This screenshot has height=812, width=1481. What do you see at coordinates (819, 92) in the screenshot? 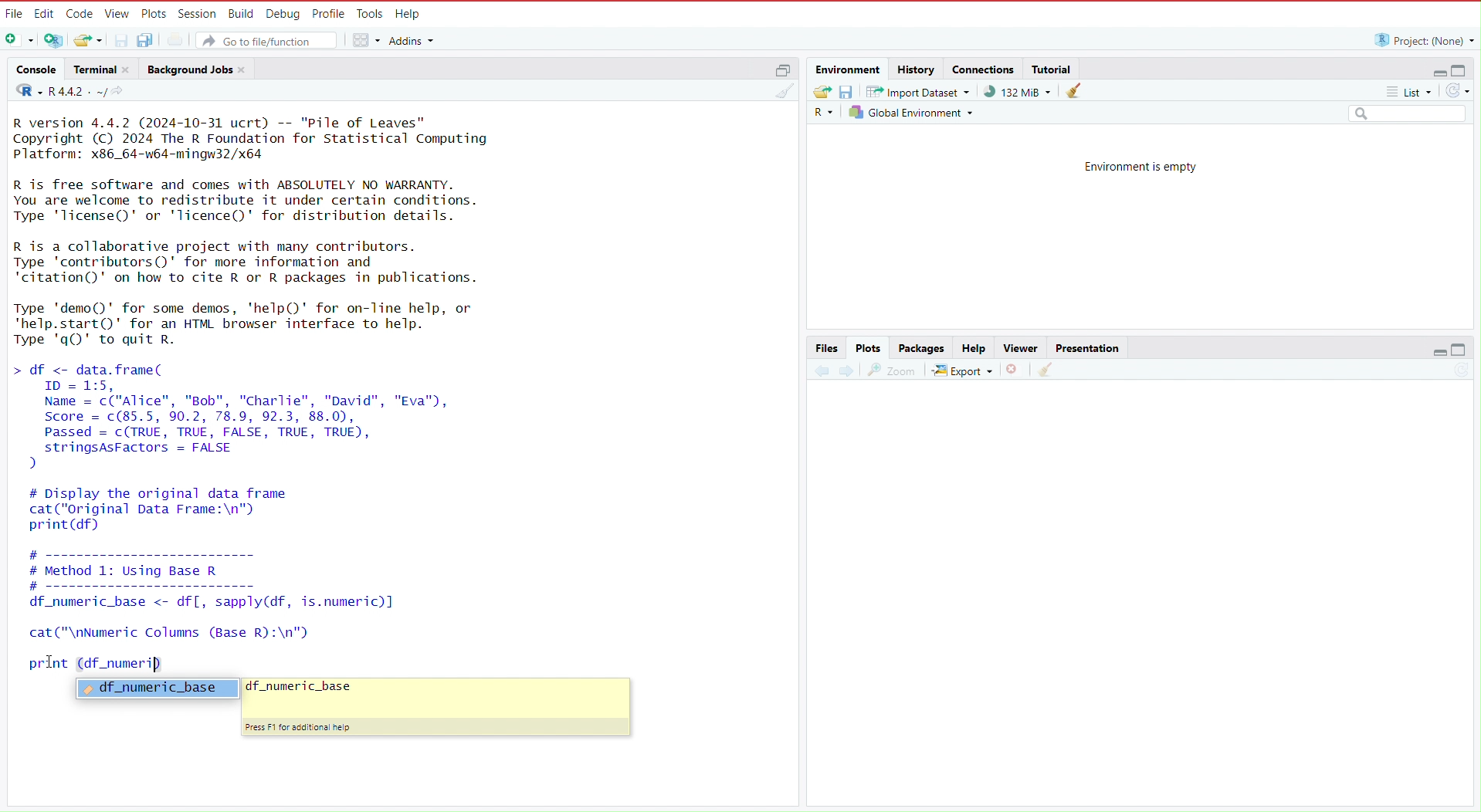
I see `Load workspace` at bounding box center [819, 92].